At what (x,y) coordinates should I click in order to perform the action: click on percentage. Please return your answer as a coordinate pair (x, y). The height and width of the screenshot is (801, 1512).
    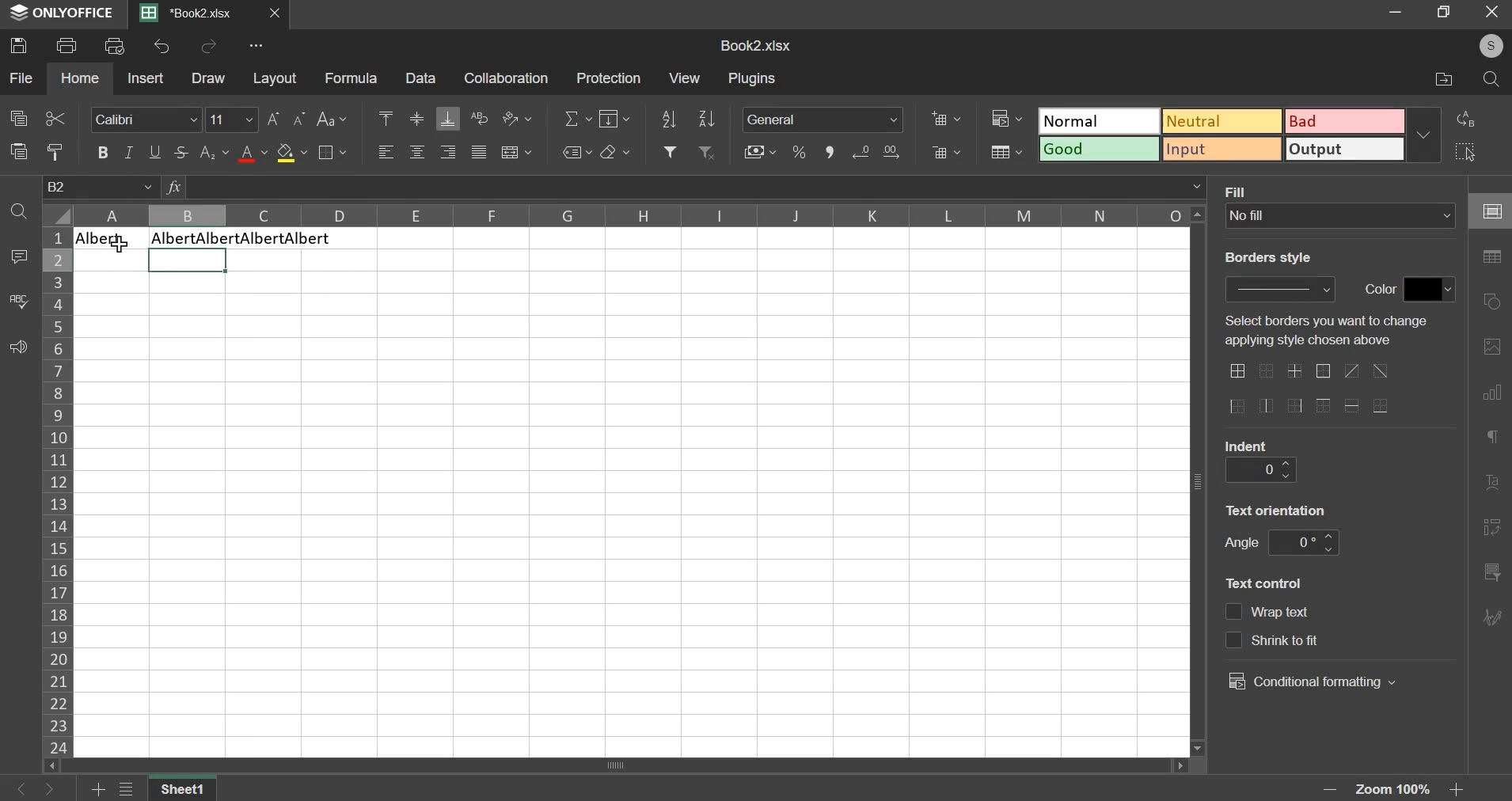
    Looking at the image, I should click on (799, 151).